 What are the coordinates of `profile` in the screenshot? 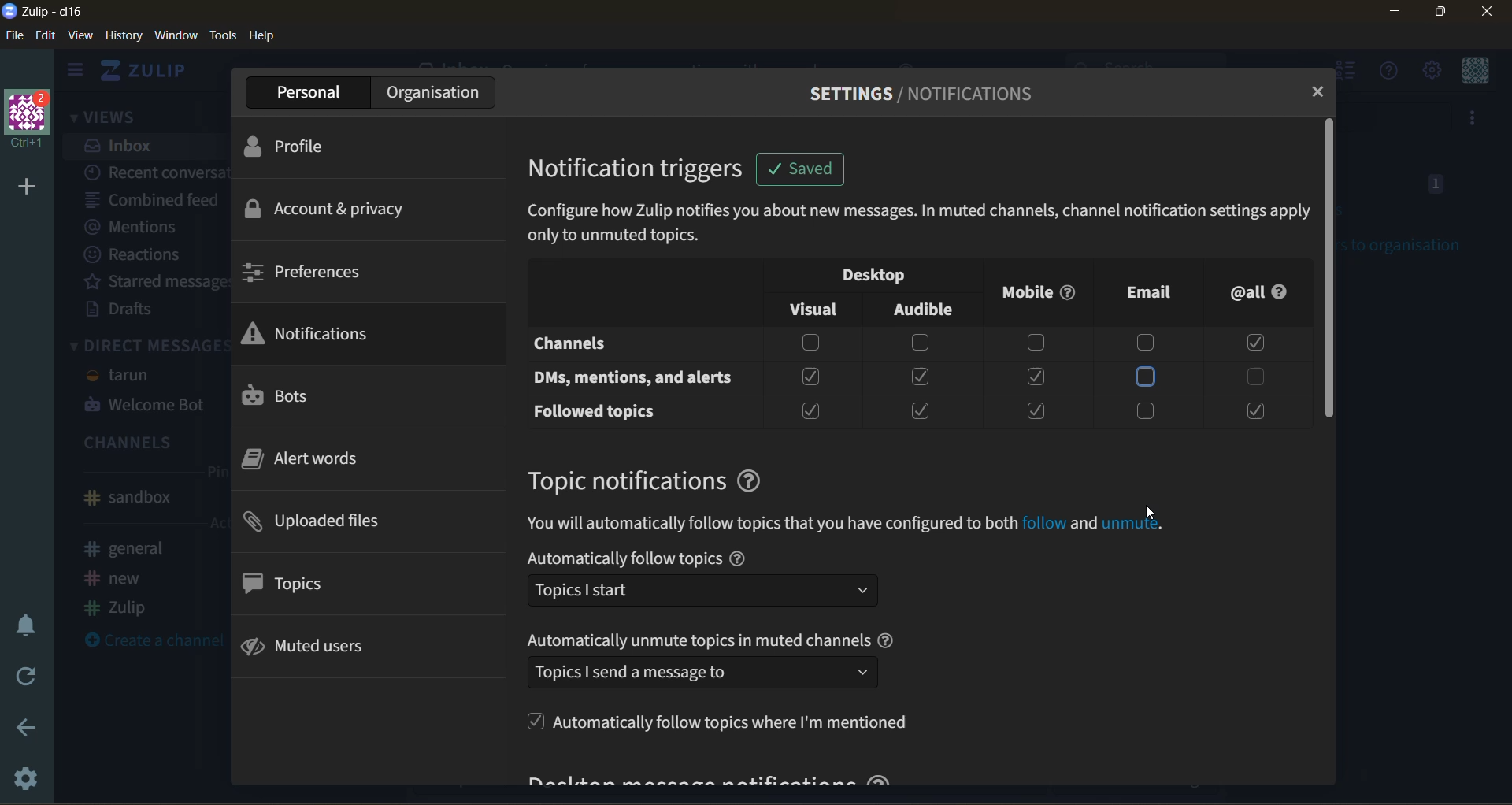 It's located at (317, 150).